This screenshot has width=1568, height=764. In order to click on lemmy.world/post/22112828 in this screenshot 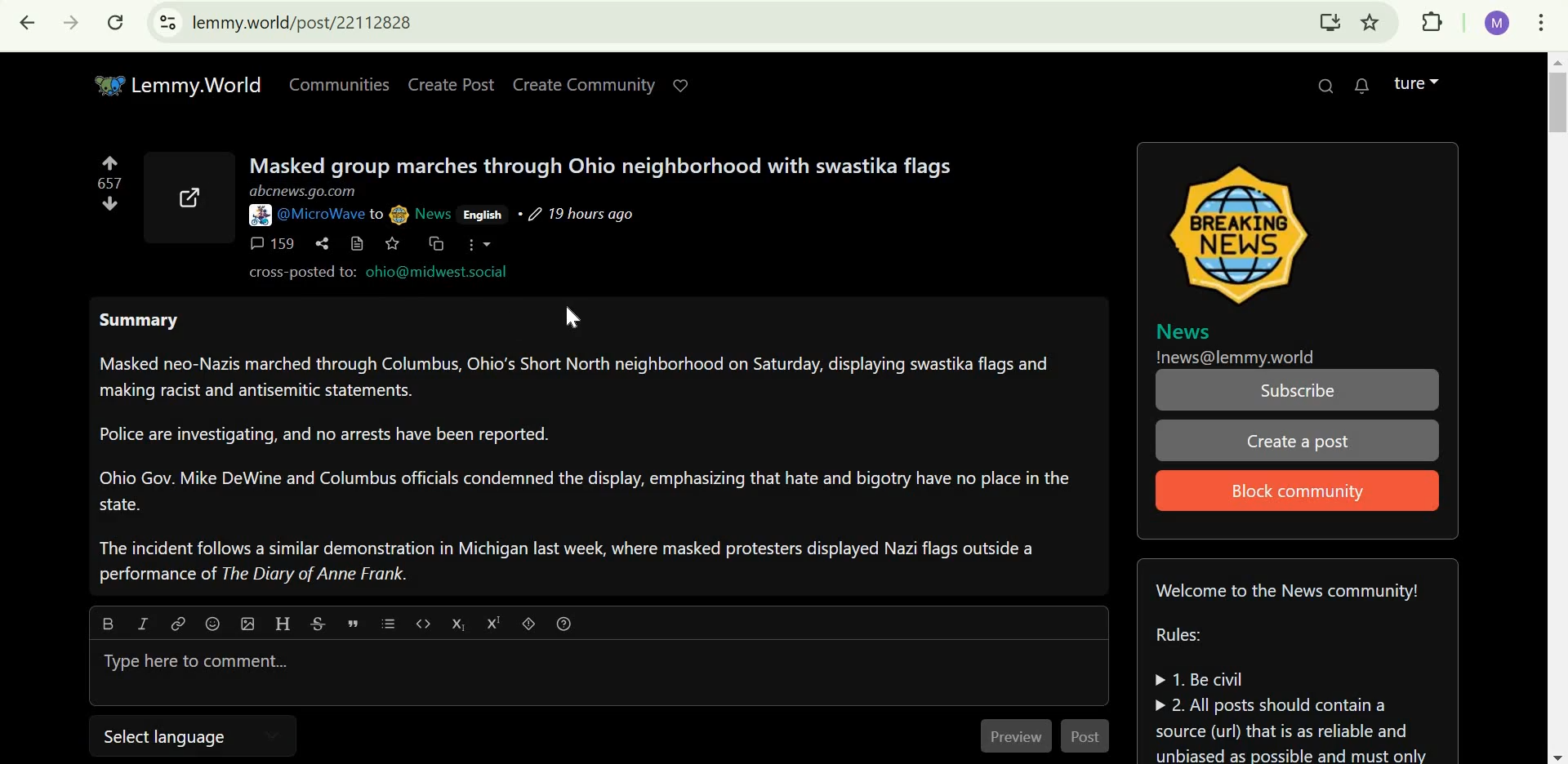, I will do `click(327, 24)`.